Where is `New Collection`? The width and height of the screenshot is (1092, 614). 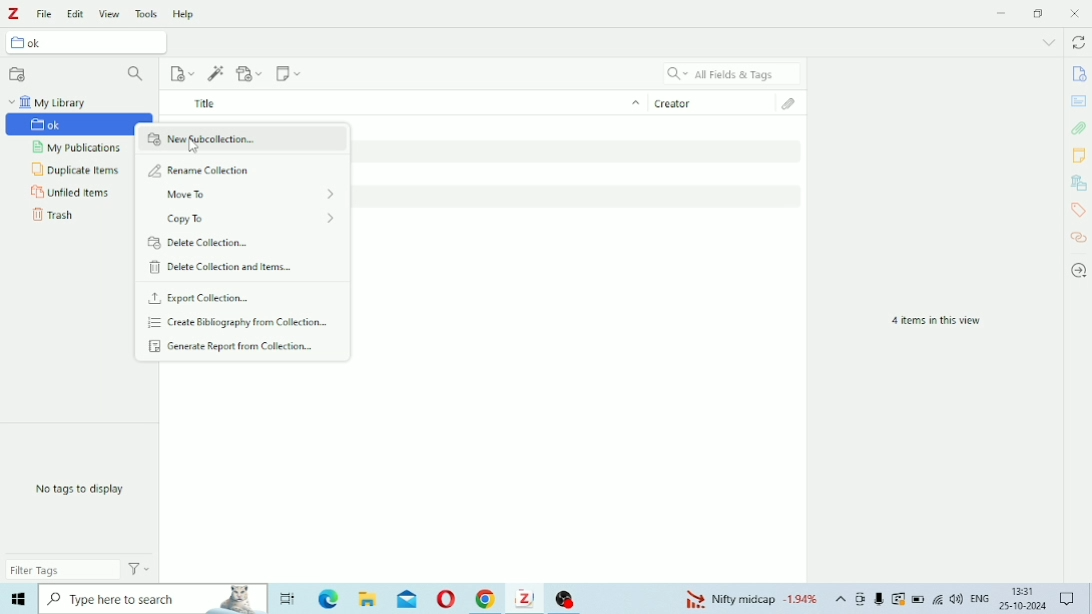
New Collection is located at coordinates (18, 74).